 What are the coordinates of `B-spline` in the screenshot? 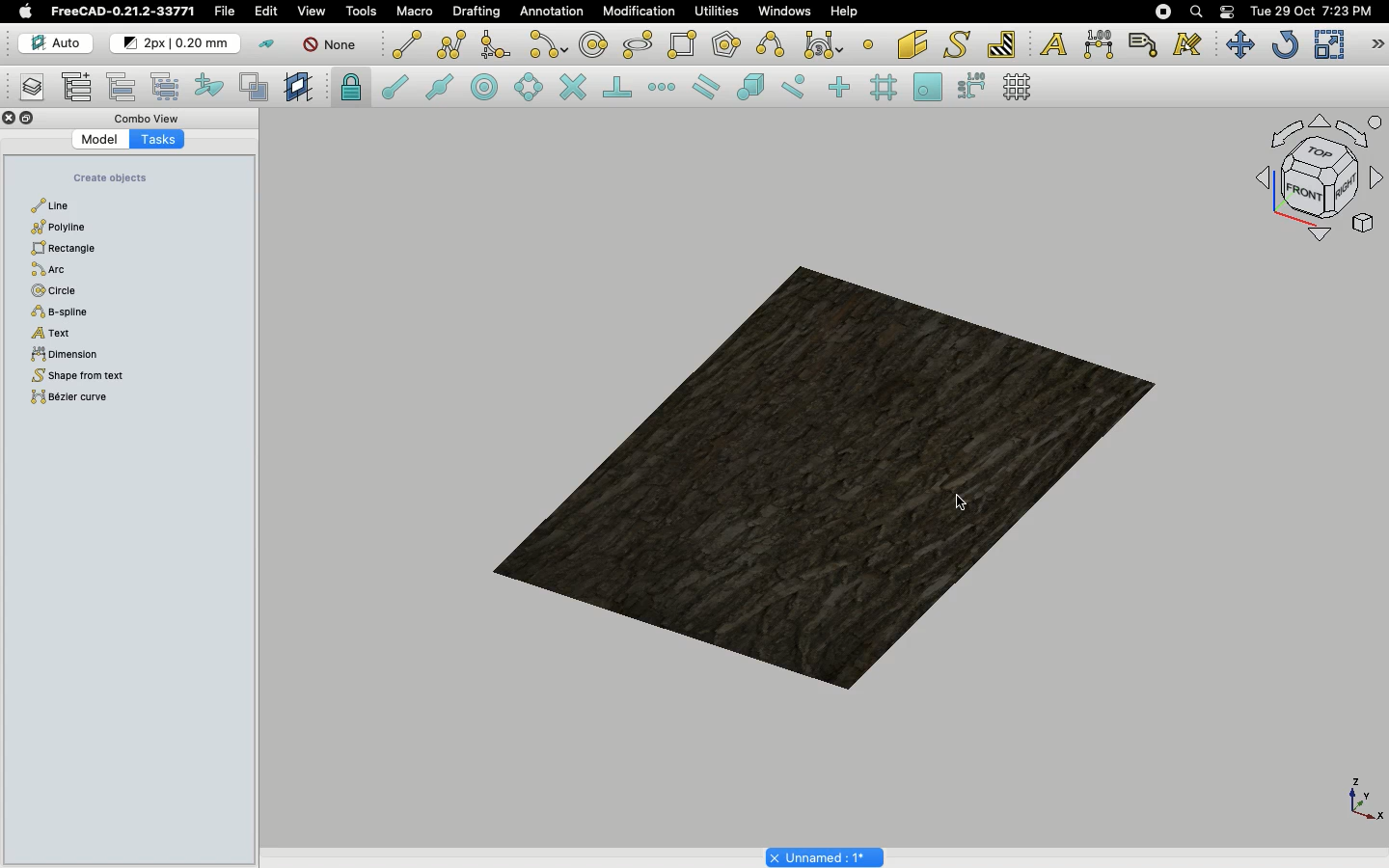 It's located at (60, 311).